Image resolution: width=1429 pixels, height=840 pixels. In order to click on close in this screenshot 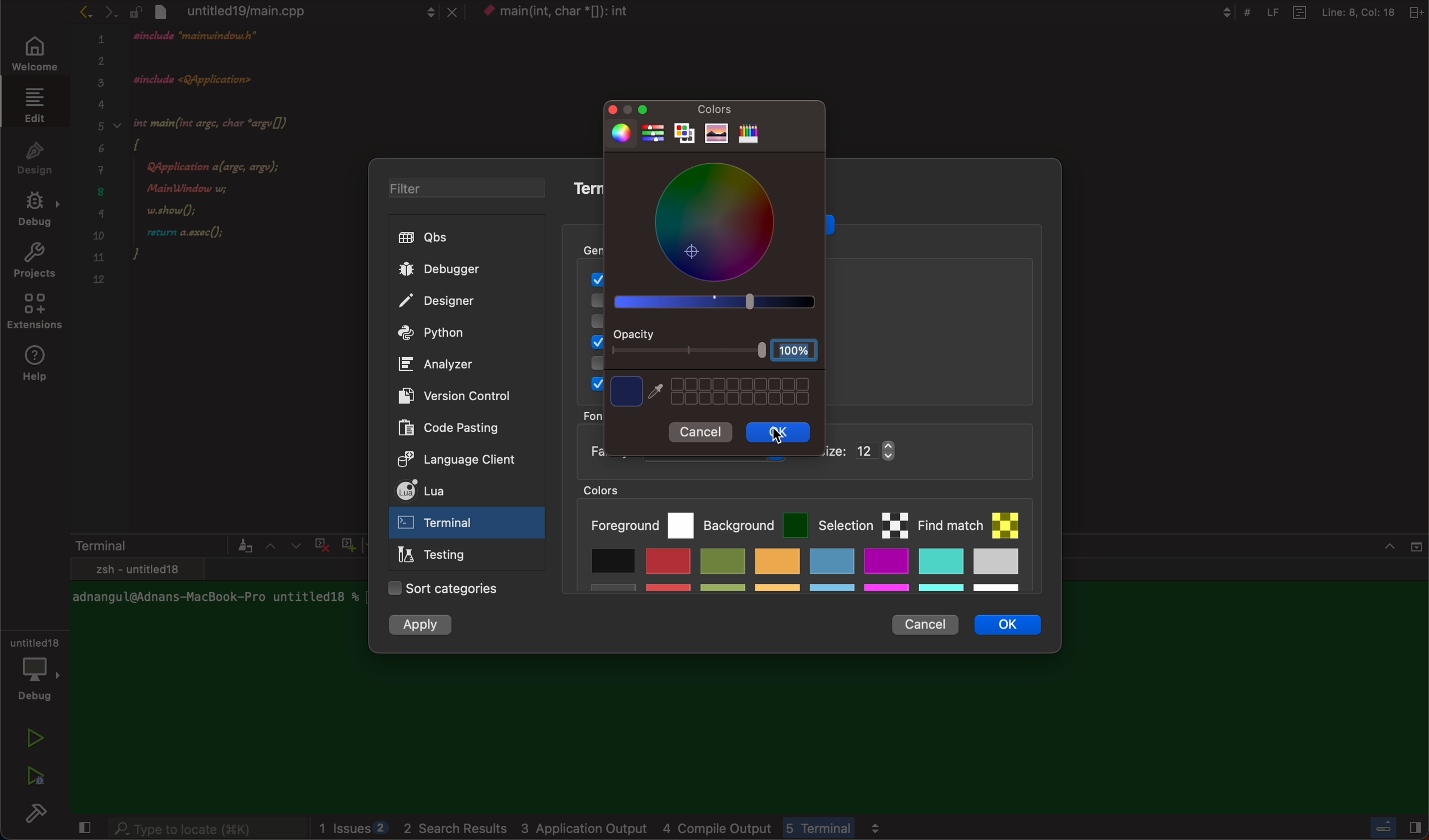, I will do `click(82, 829)`.